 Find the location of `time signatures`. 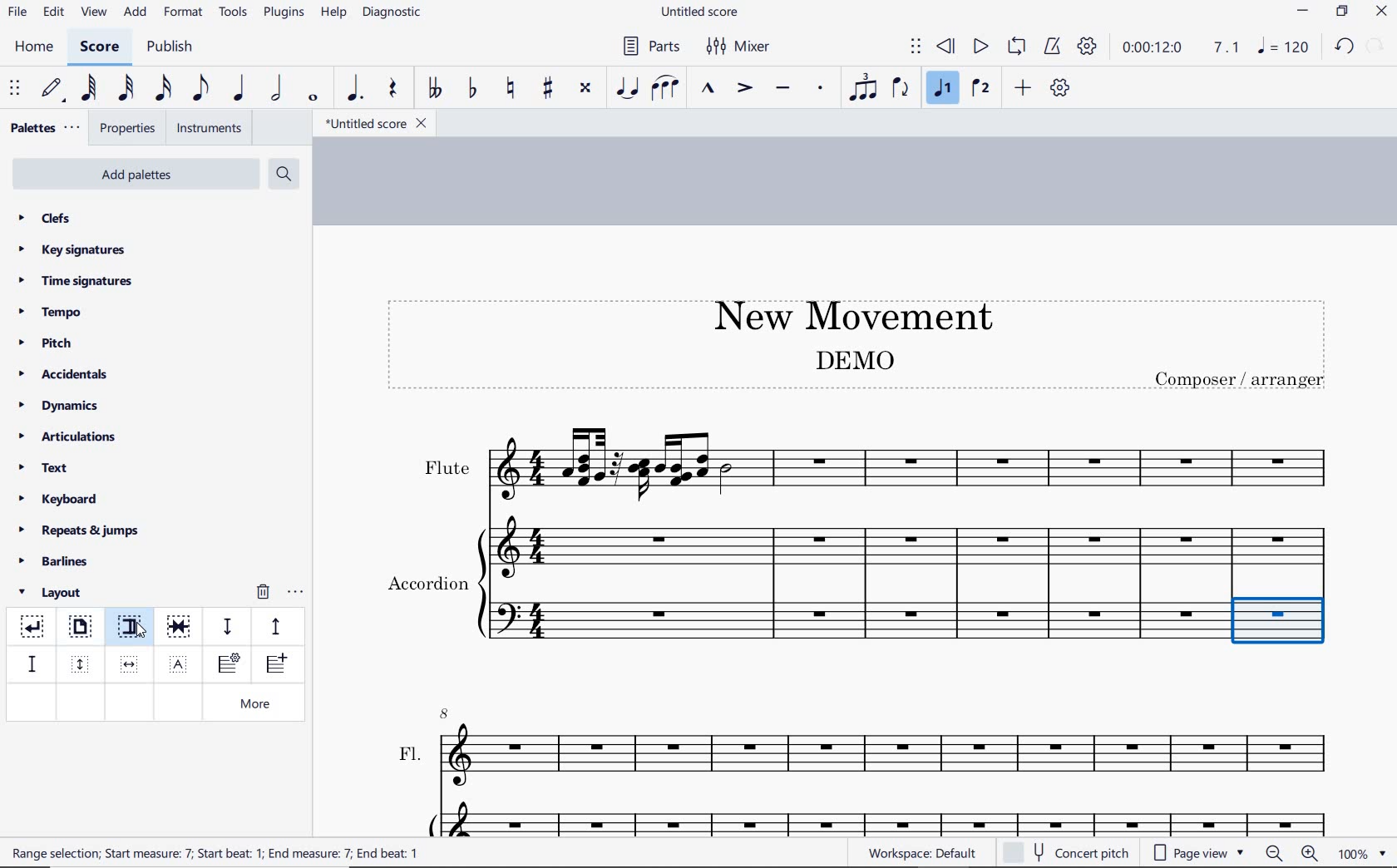

time signatures is located at coordinates (76, 280).